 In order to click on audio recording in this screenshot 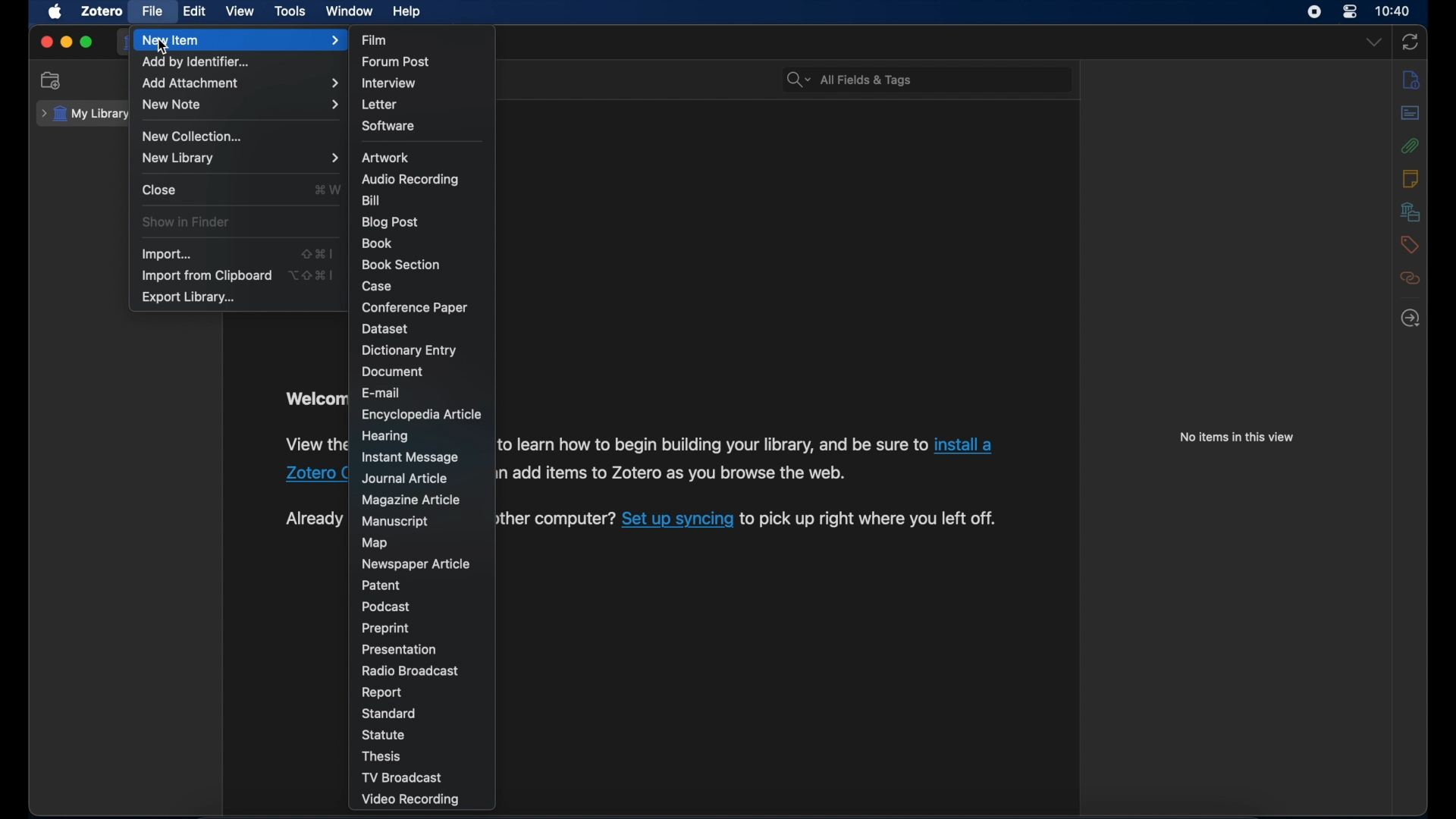, I will do `click(411, 179)`.